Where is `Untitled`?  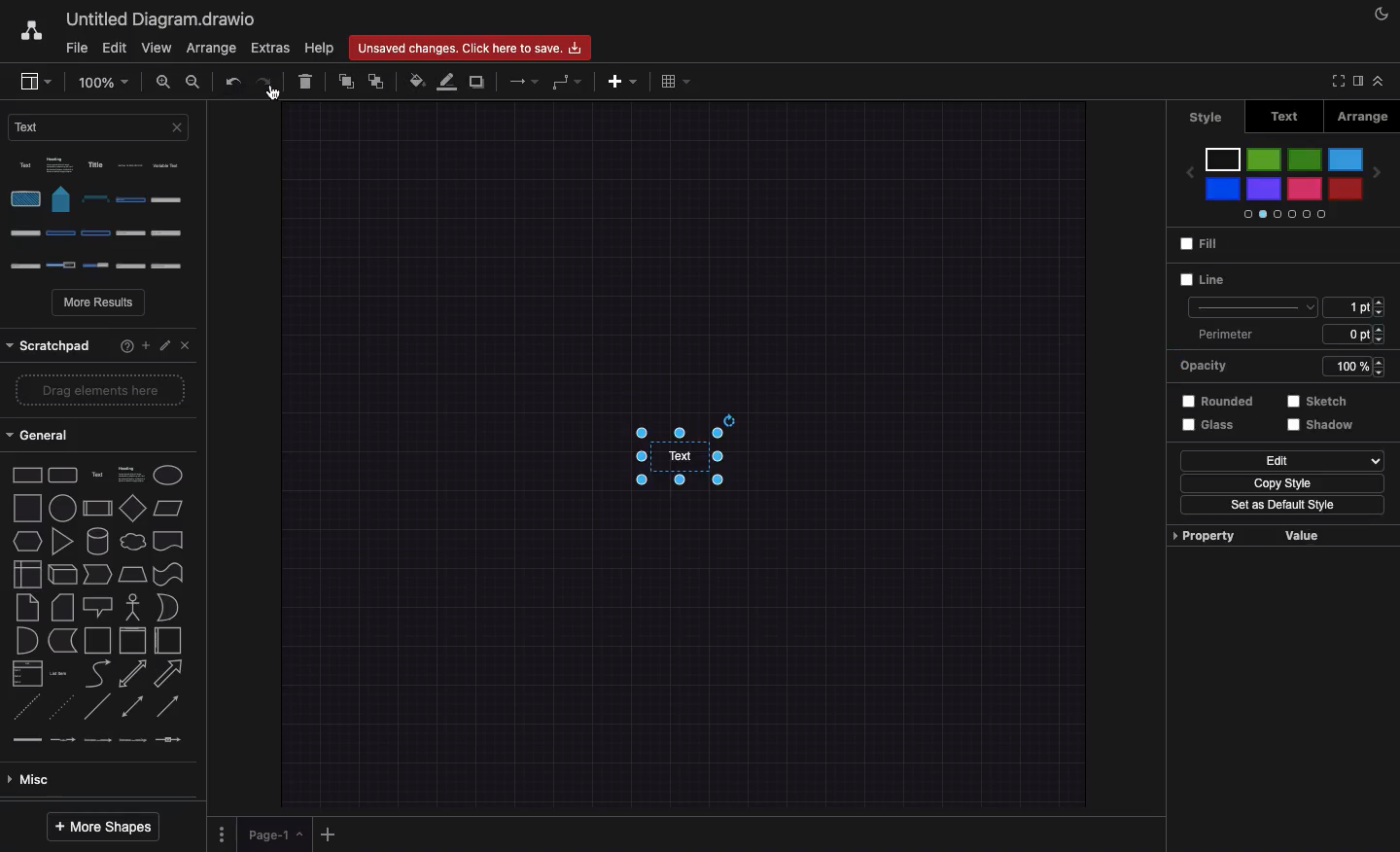
Untitled is located at coordinates (157, 20).